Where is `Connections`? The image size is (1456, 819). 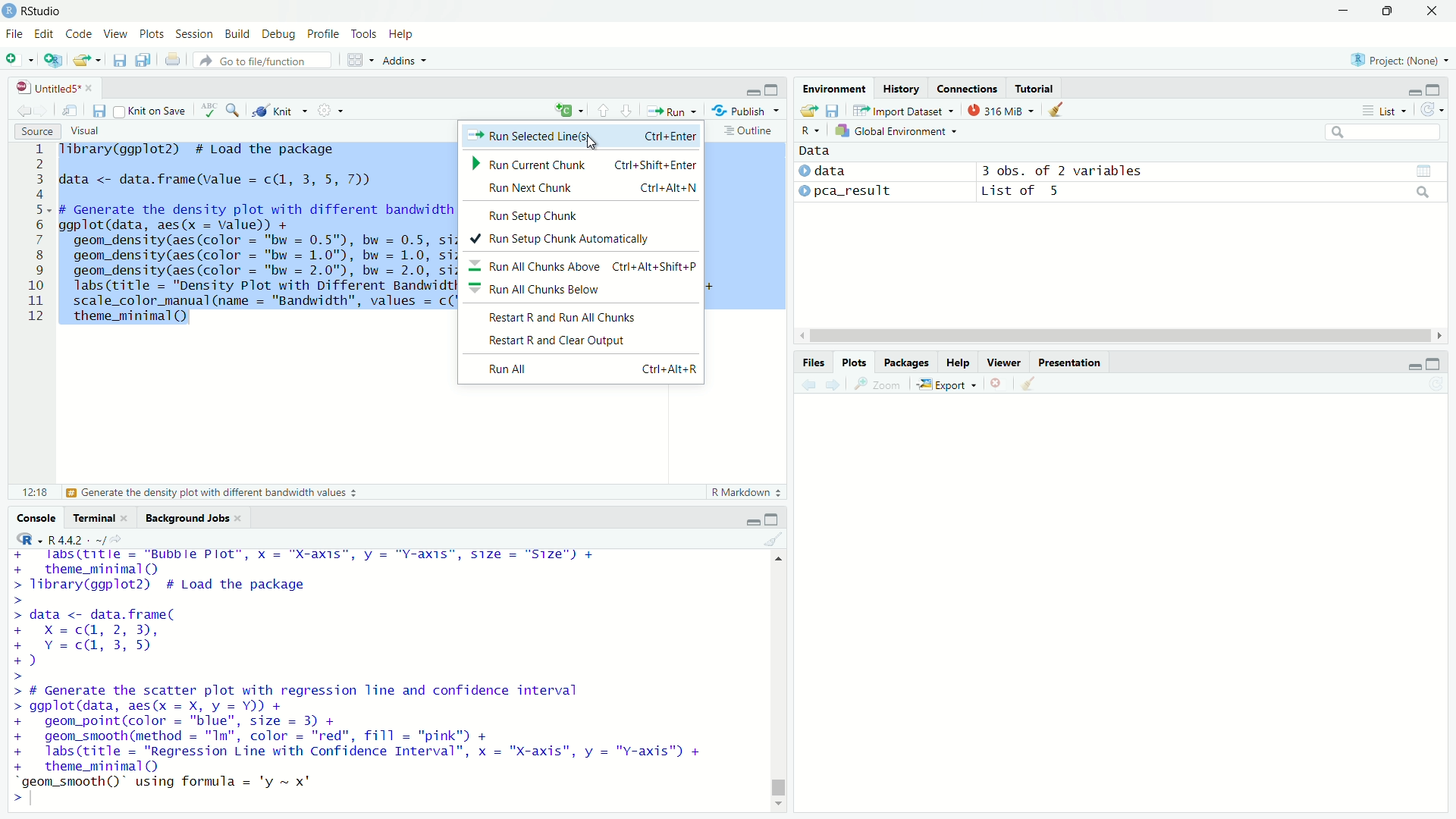
Connections is located at coordinates (965, 87).